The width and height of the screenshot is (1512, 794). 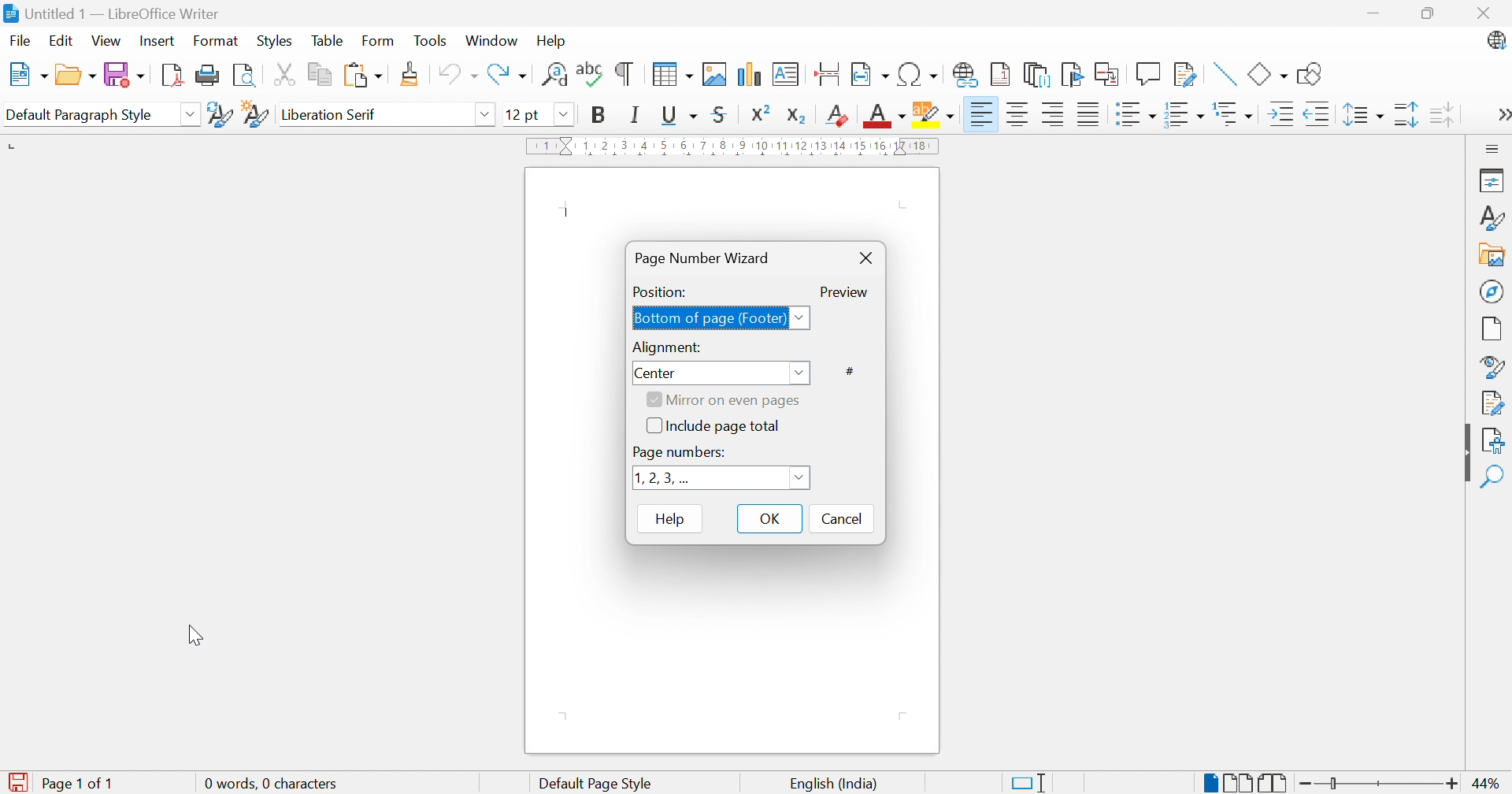 I want to click on Cancel, so click(x=844, y=521).